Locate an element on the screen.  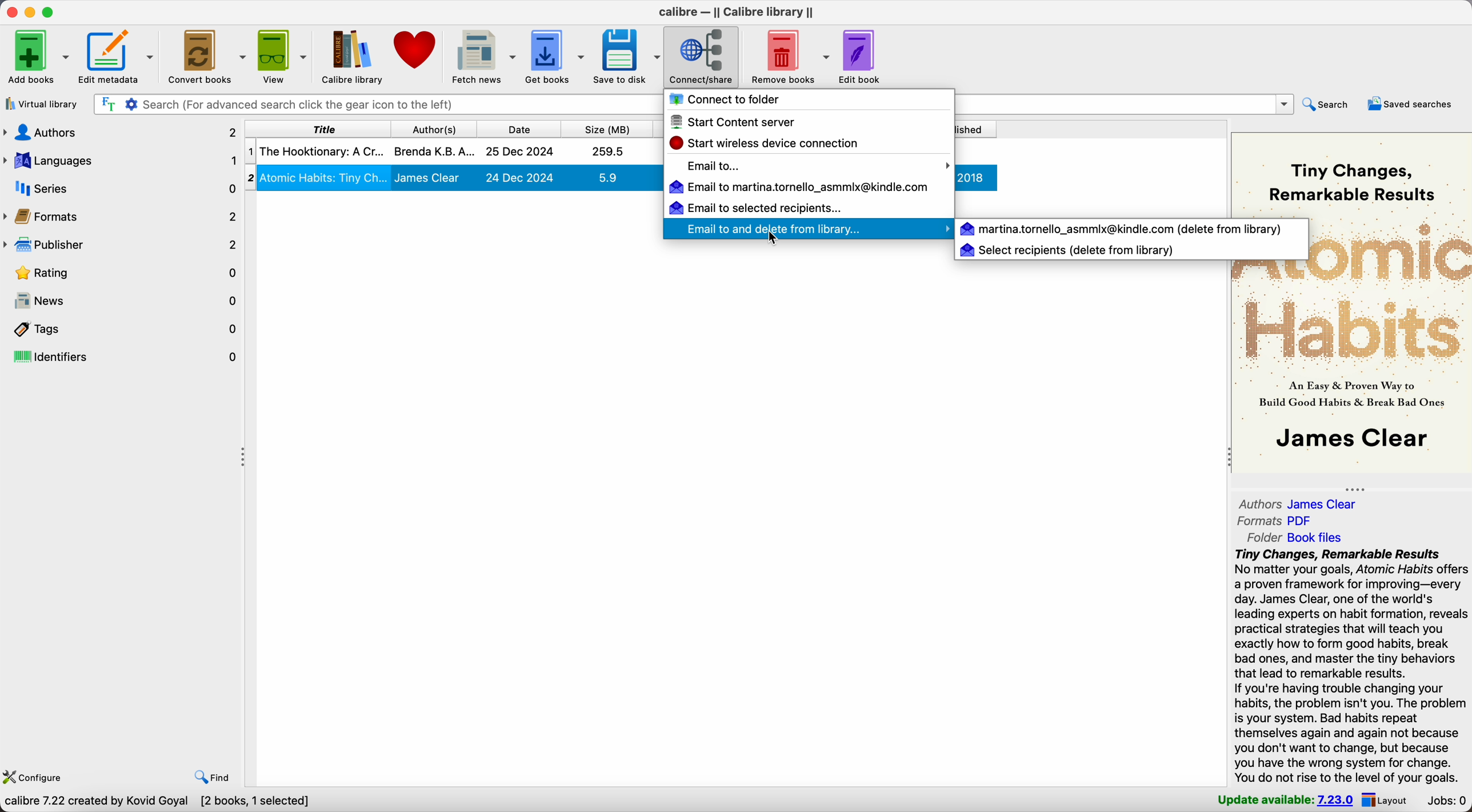
Brenda K.B.A. is located at coordinates (434, 150).